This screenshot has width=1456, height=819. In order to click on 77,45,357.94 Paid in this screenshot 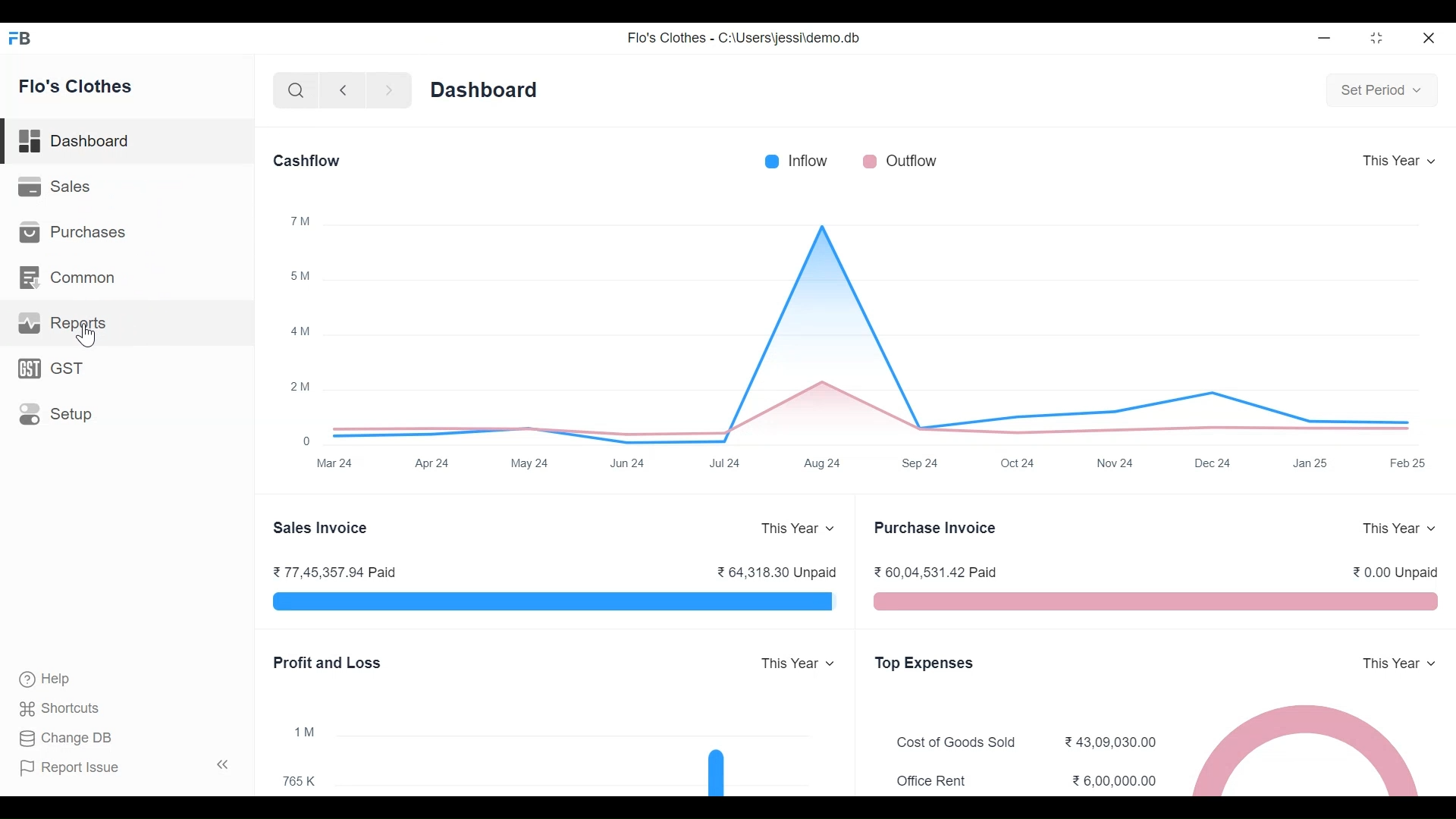, I will do `click(335, 573)`.